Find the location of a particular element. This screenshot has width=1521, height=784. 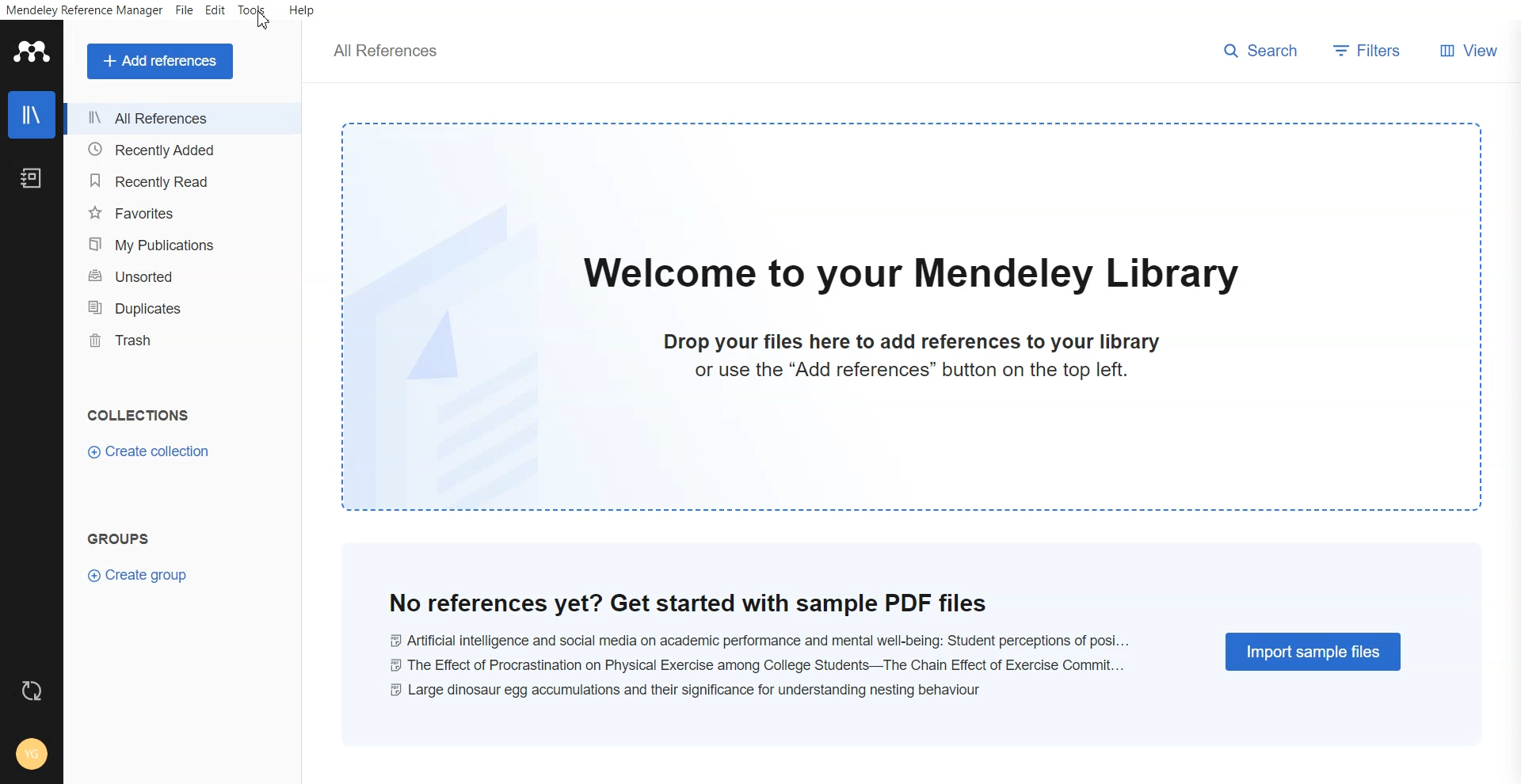

All References is located at coordinates (182, 120).